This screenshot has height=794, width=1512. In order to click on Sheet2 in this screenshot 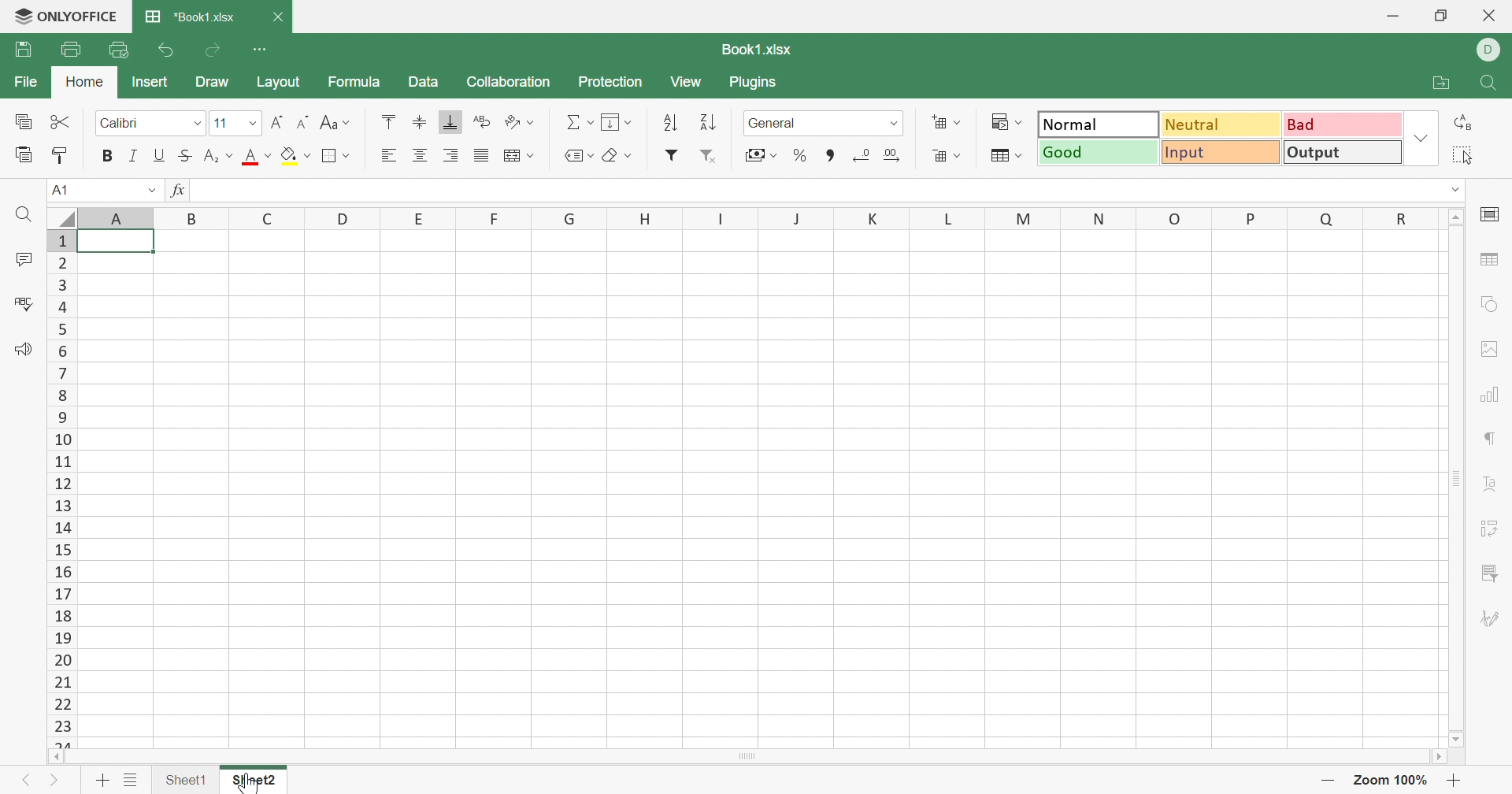, I will do `click(254, 779)`.